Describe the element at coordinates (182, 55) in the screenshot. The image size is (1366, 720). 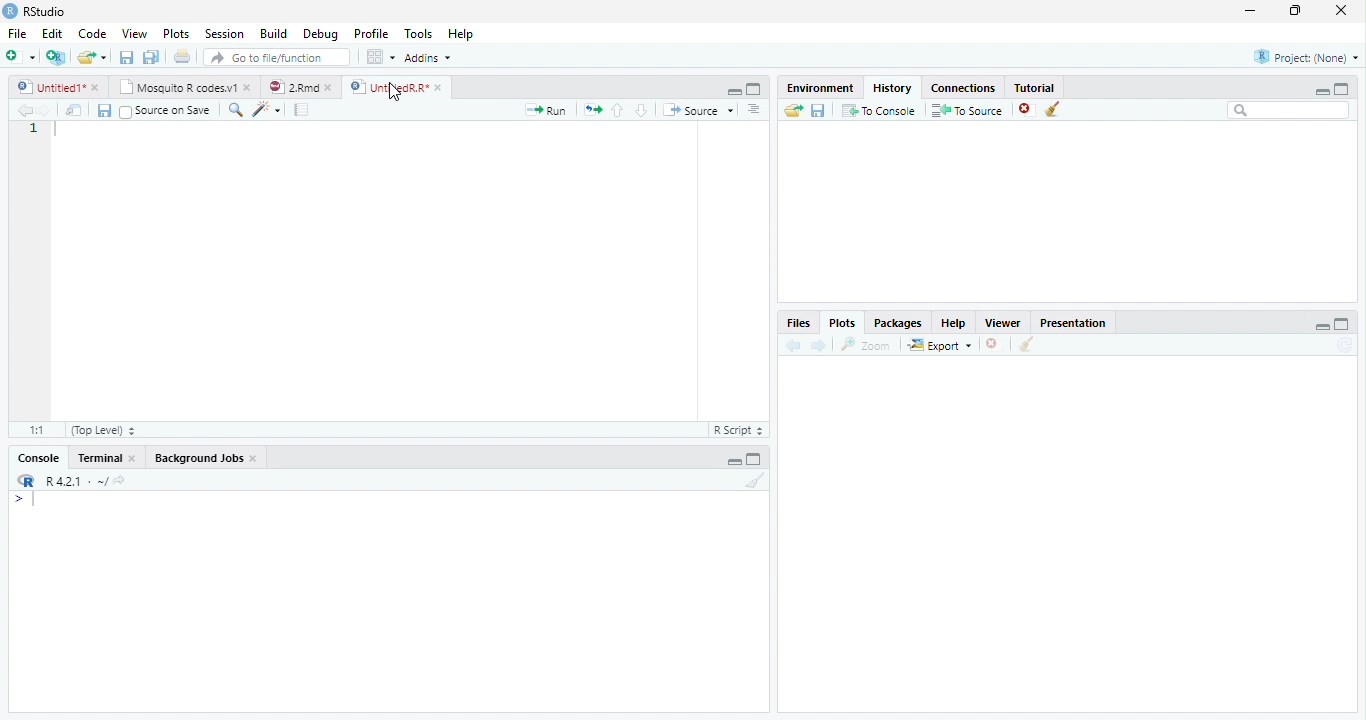
I see `Print the current file` at that location.